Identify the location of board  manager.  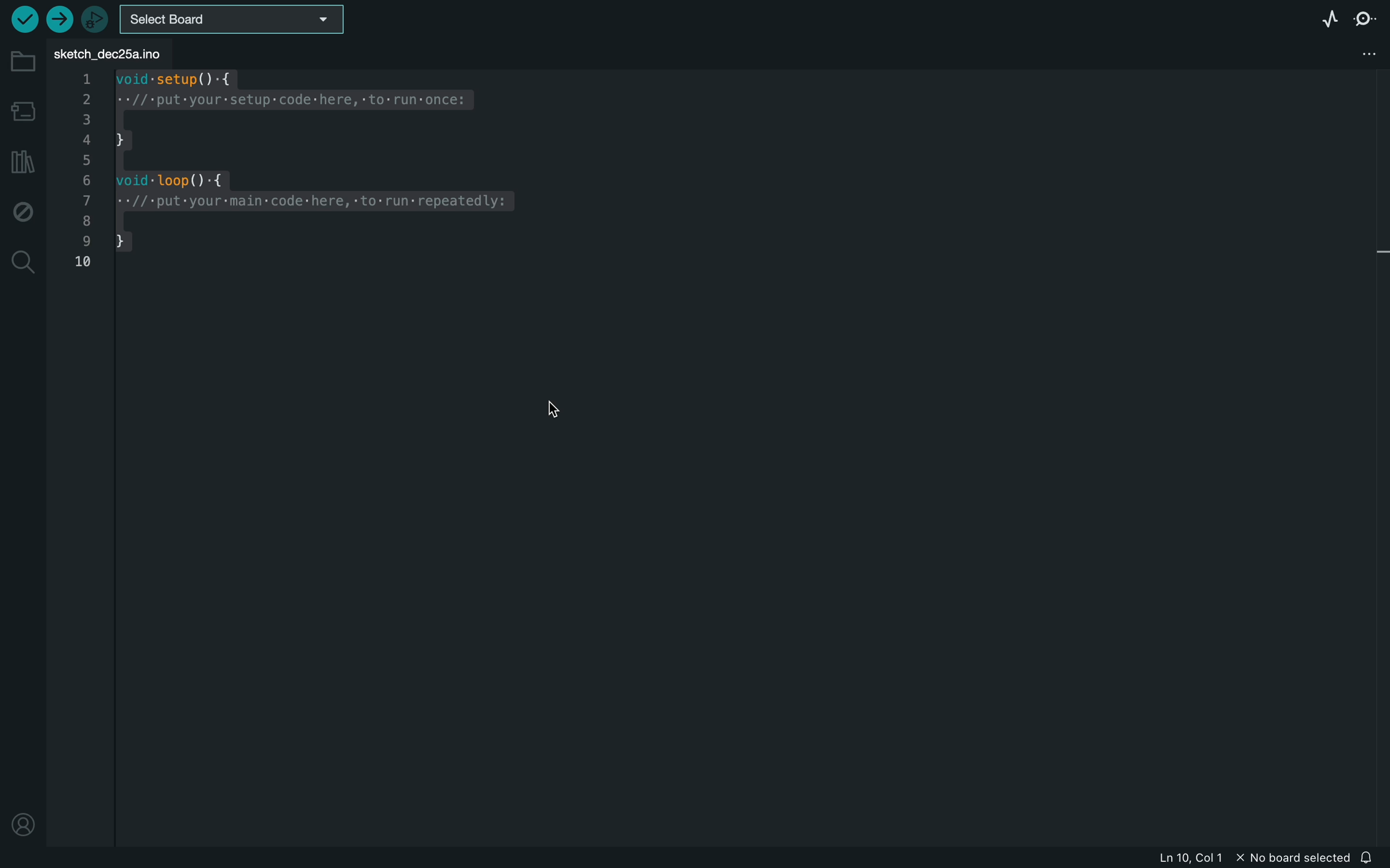
(24, 111).